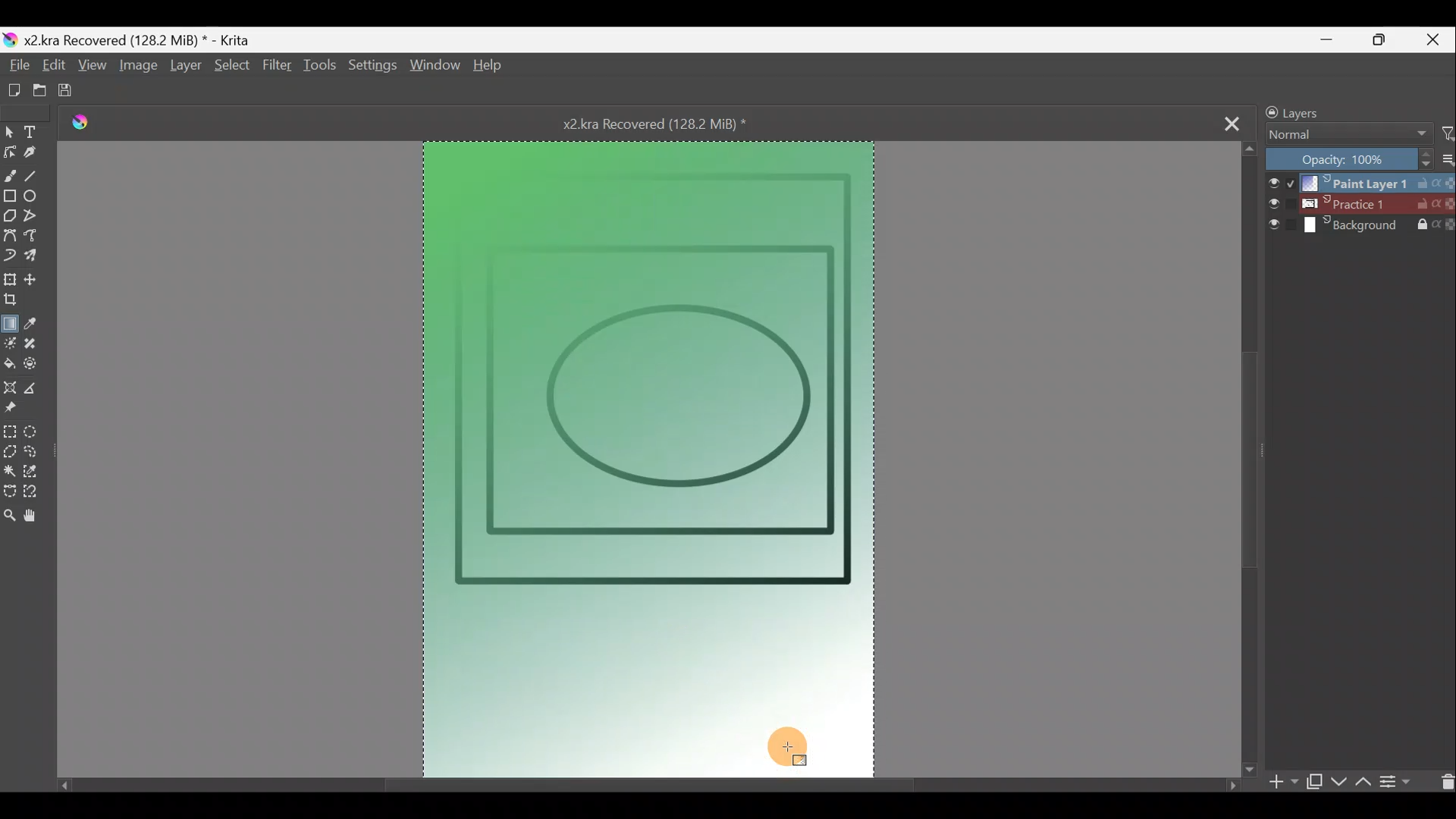 The width and height of the screenshot is (1456, 819). Describe the element at coordinates (644, 780) in the screenshot. I see `Scroll bar` at that location.